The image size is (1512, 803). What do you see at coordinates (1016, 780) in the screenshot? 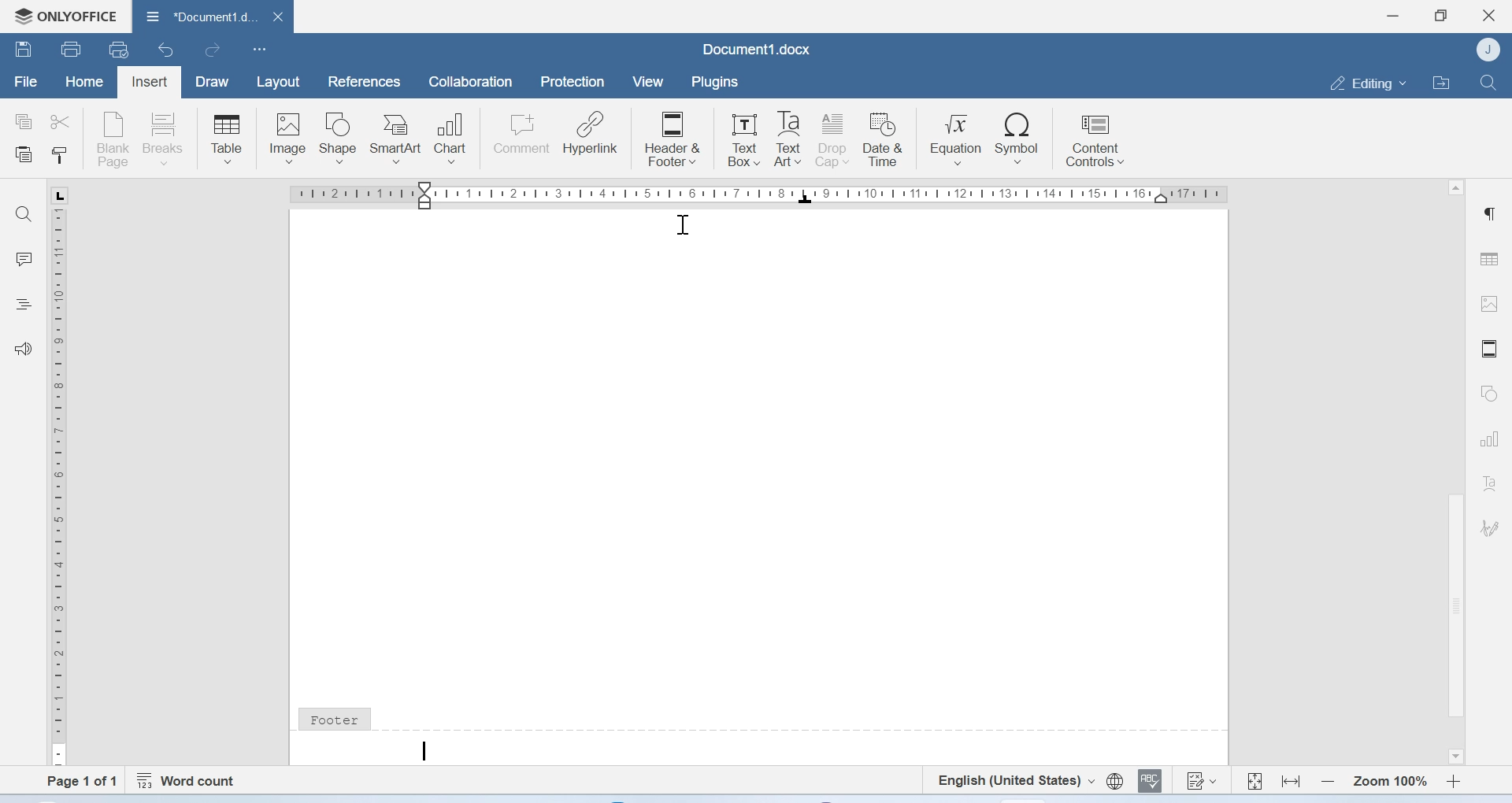
I see `Set text language` at bounding box center [1016, 780].